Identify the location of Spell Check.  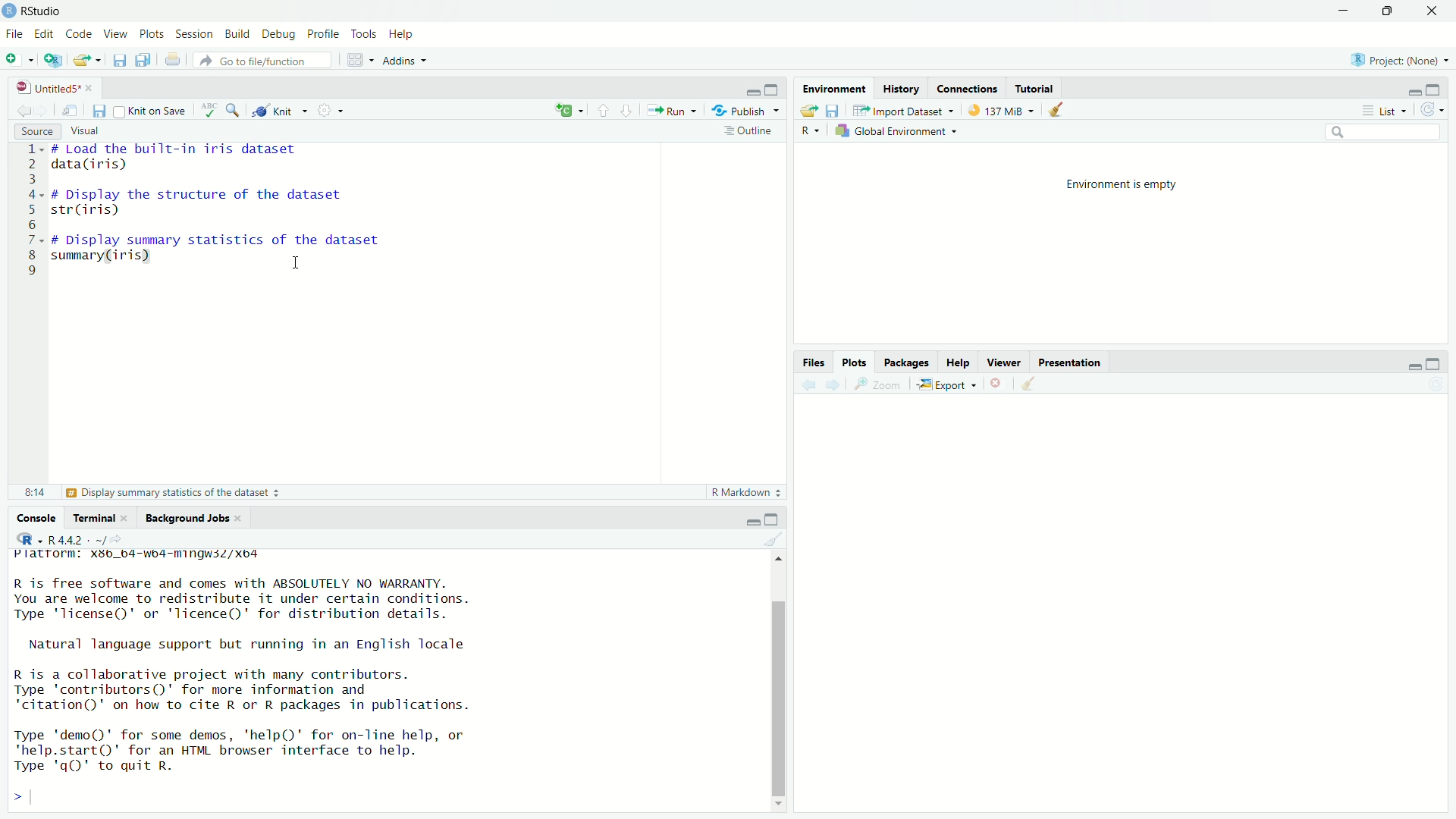
(209, 111).